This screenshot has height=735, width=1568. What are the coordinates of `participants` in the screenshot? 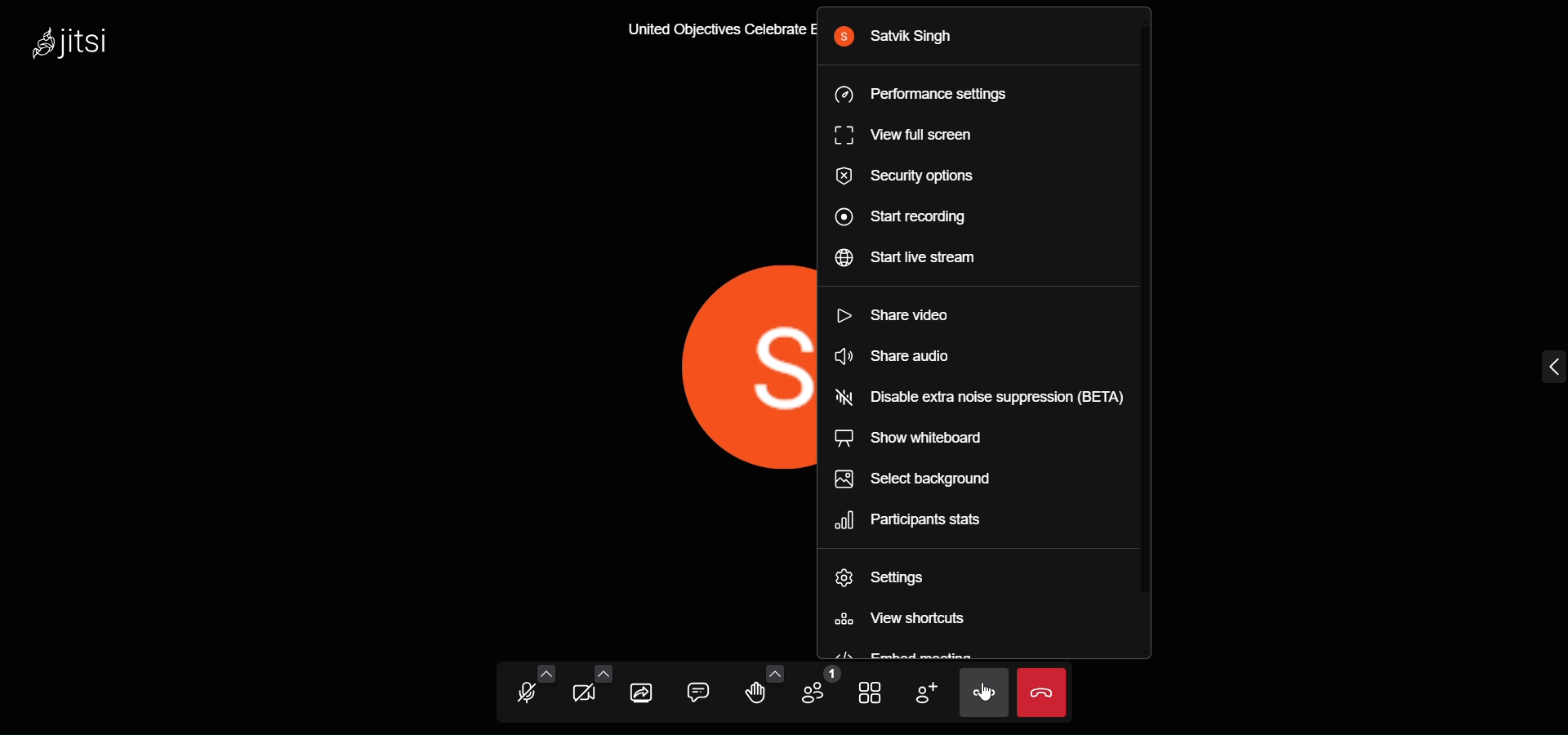 It's located at (918, 521).